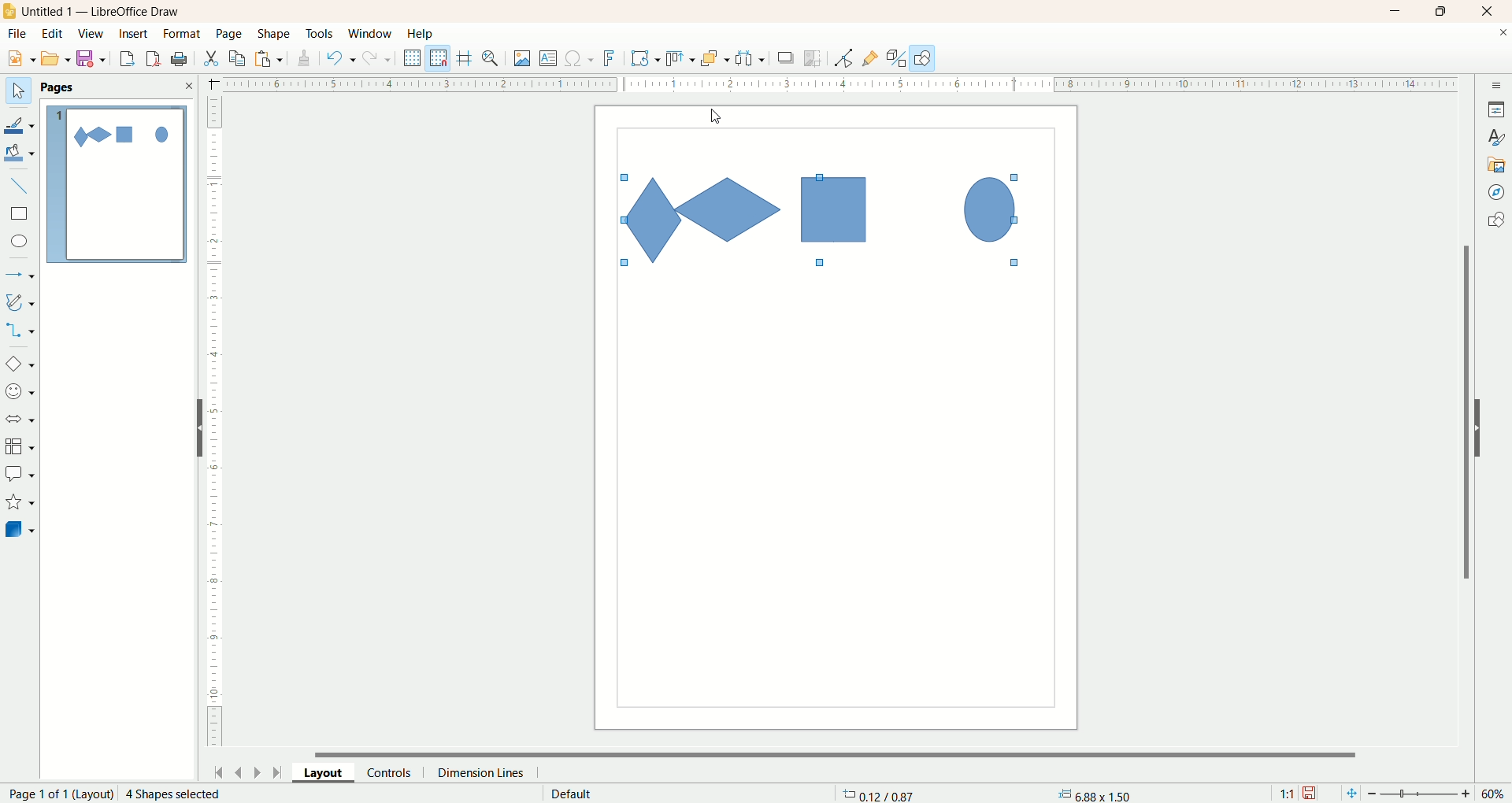 The height and width of the screenshot is (803, 1512). What do you see at coordinates (1092, 794) in the screenshot?
I see `anchor point` at bounding box center [1092, 794].